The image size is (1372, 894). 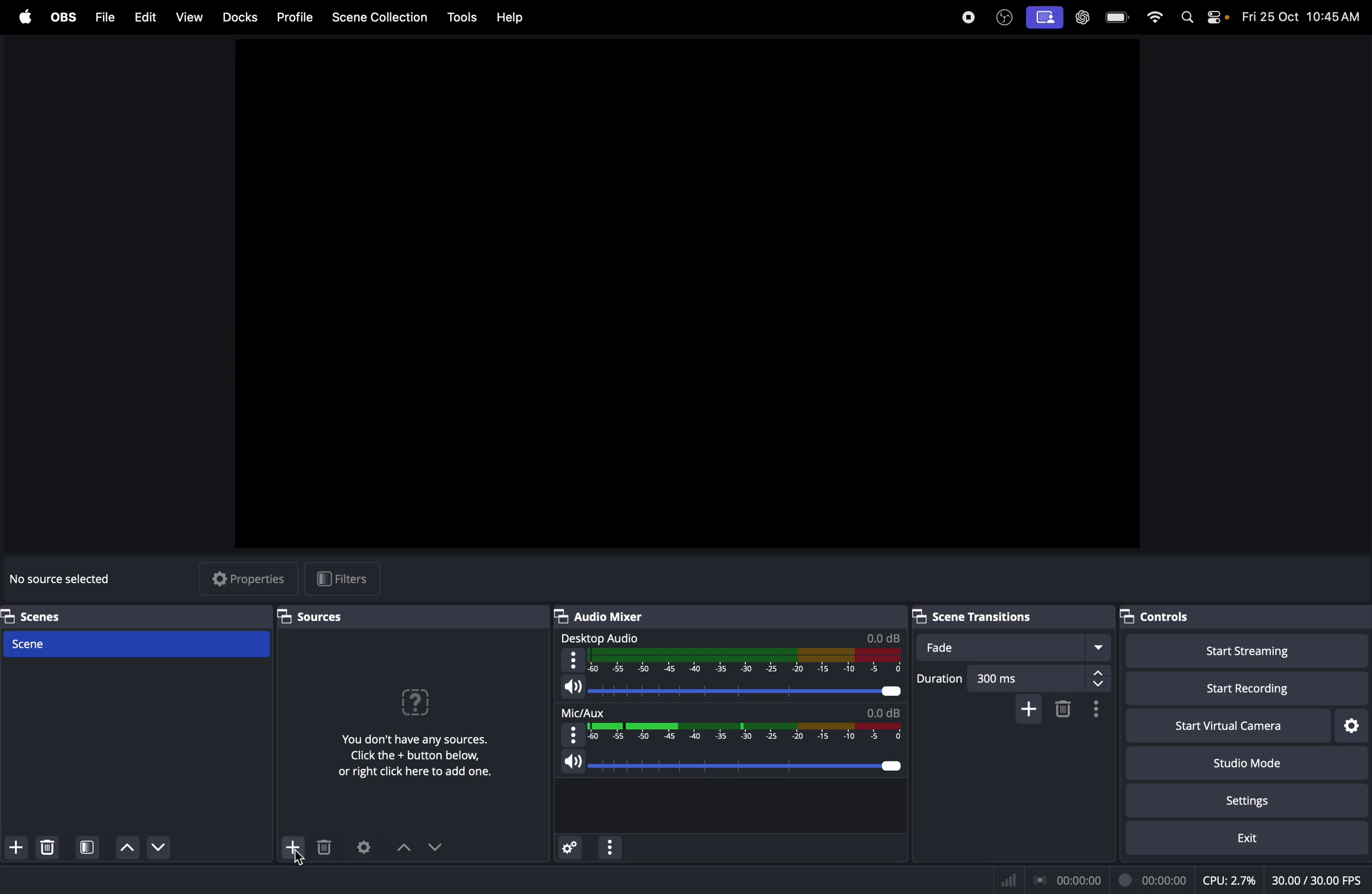 I want to click on tools, so click(x=462, y=17).